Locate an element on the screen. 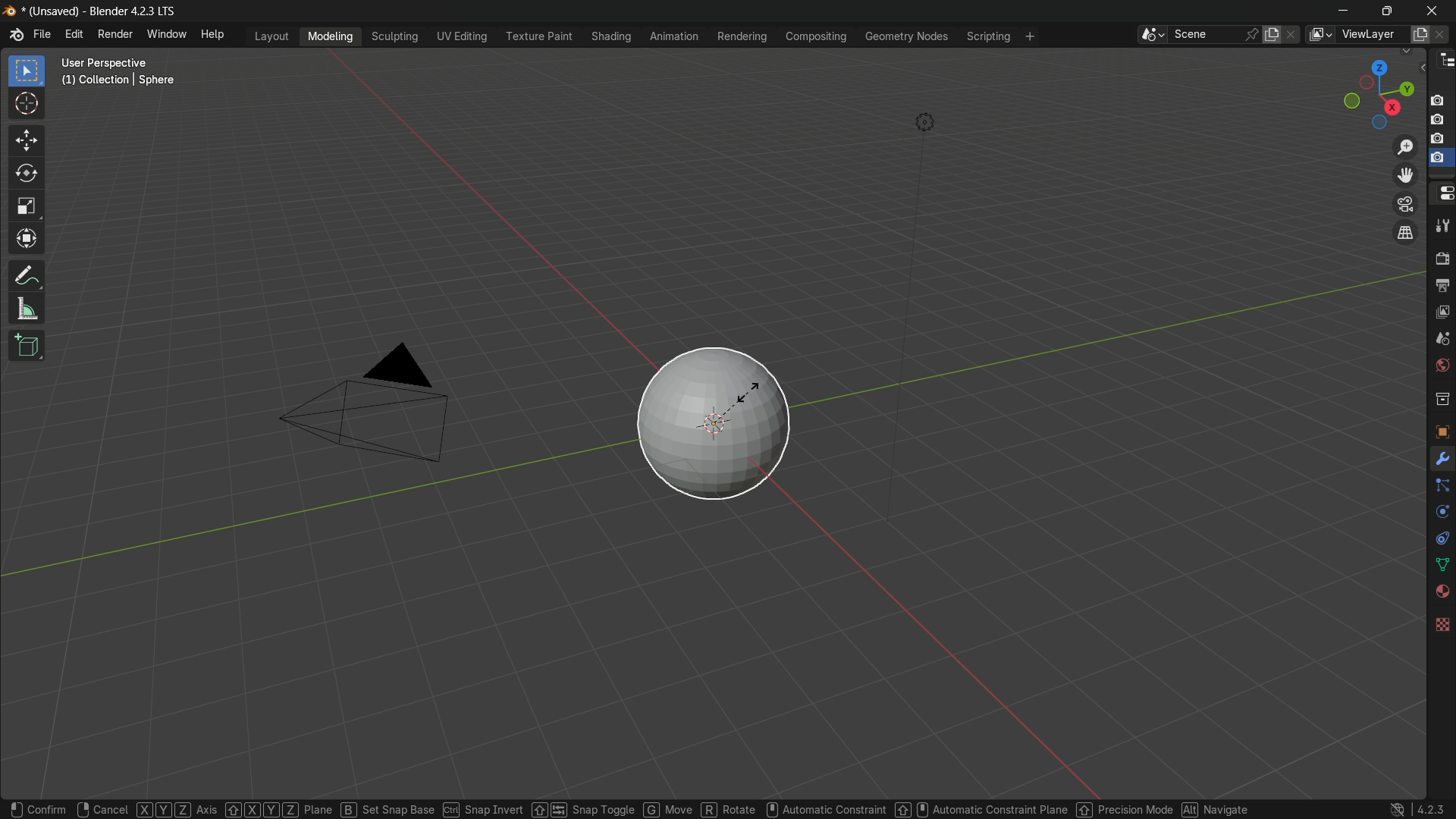 This screenshot has width=1456, height=819. help menu is located at coordinates (215, 36).